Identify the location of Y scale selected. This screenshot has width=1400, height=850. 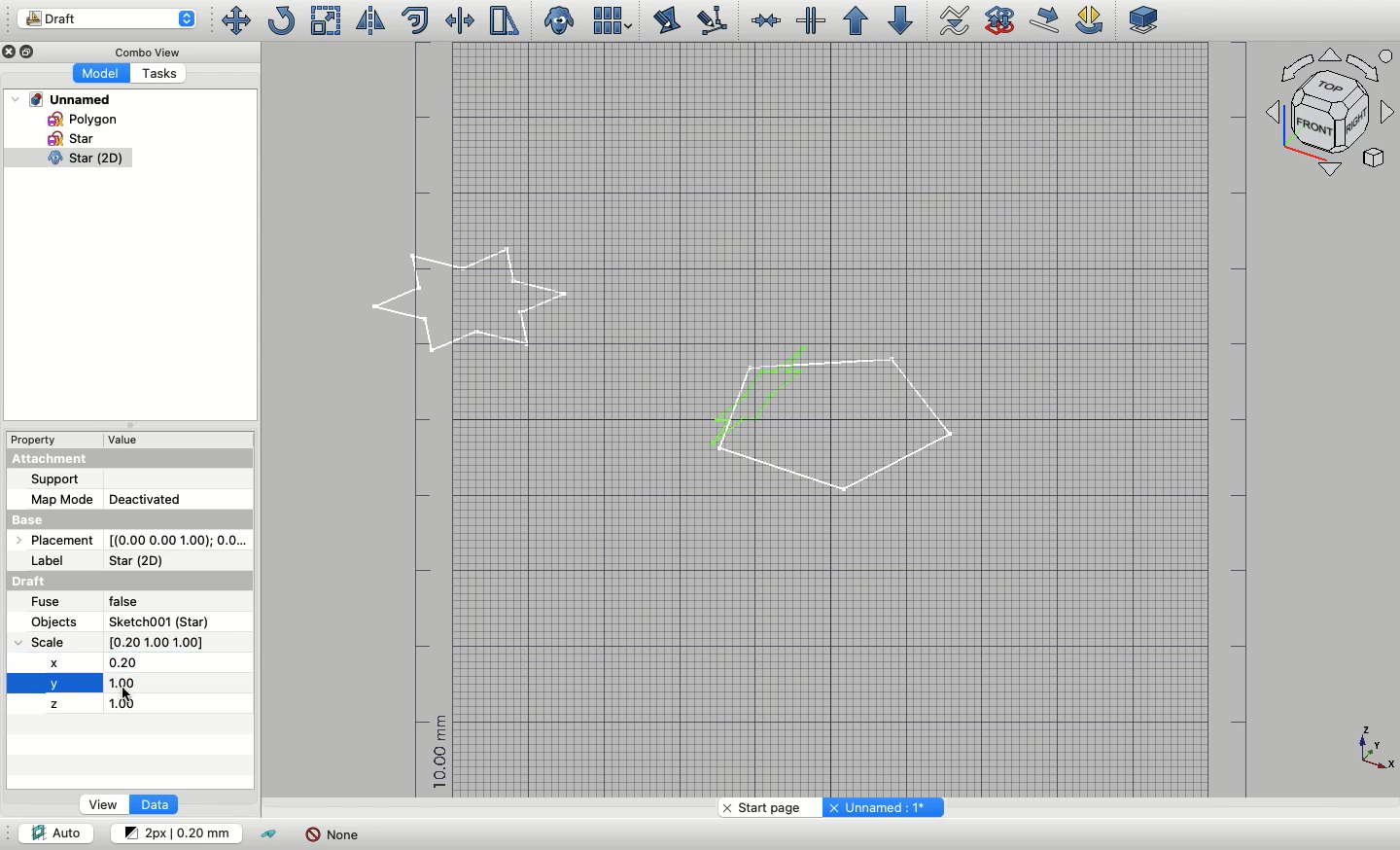
(54, 684).